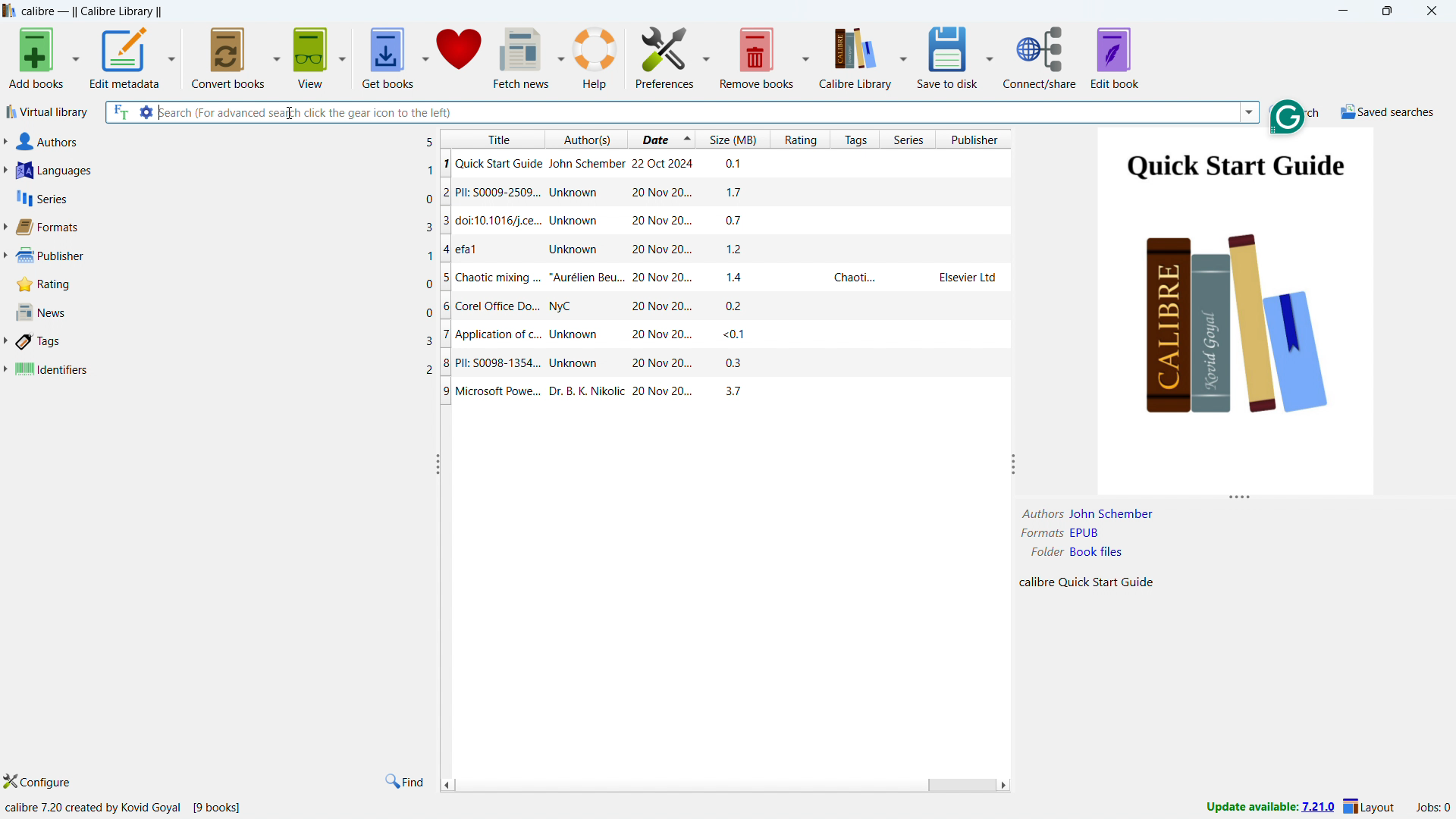 The width and height of the screenshot is (1456, 819). I want to click on get books options, so click(425, 56).